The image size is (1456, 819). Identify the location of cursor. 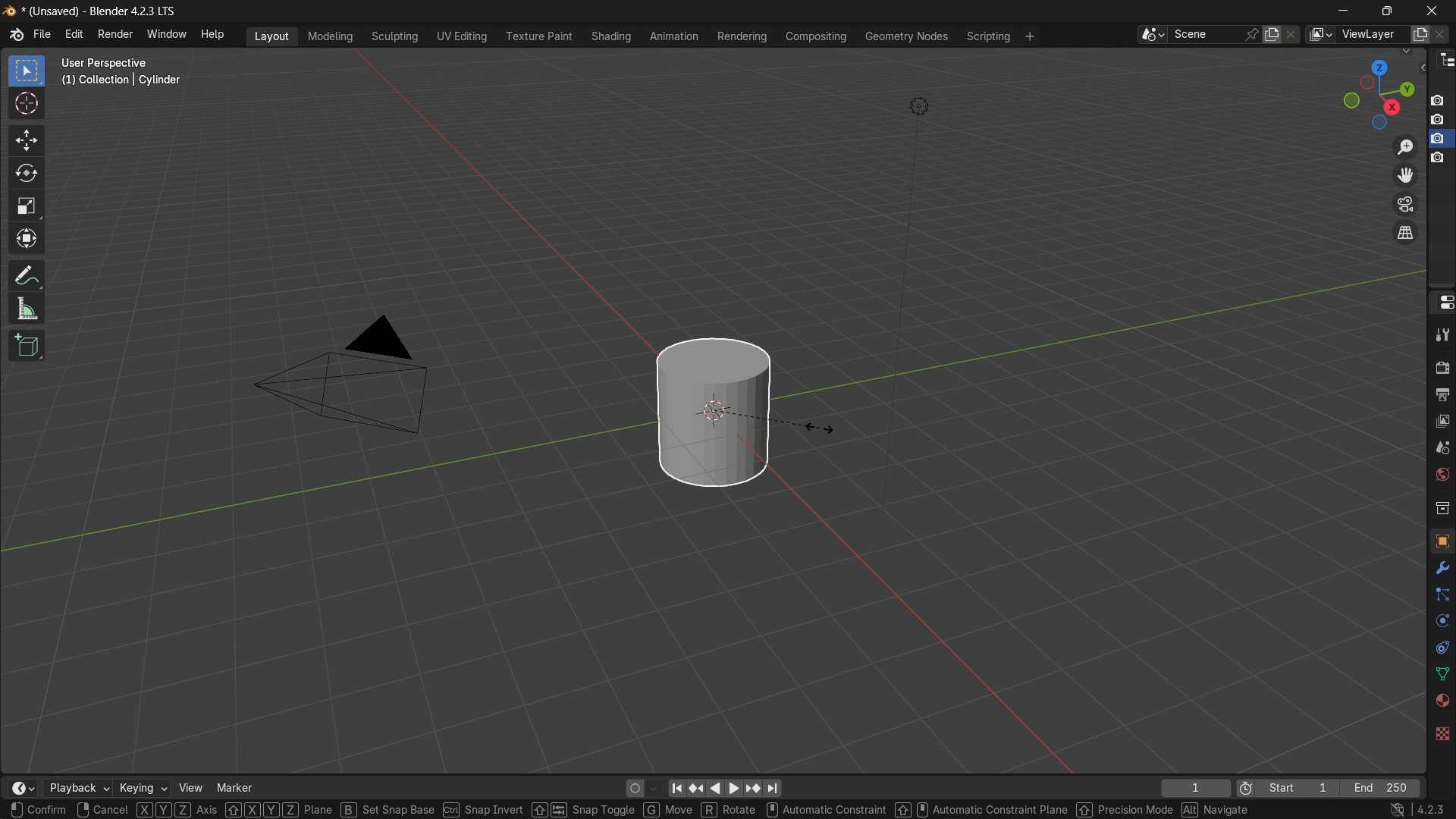
(27, 105).